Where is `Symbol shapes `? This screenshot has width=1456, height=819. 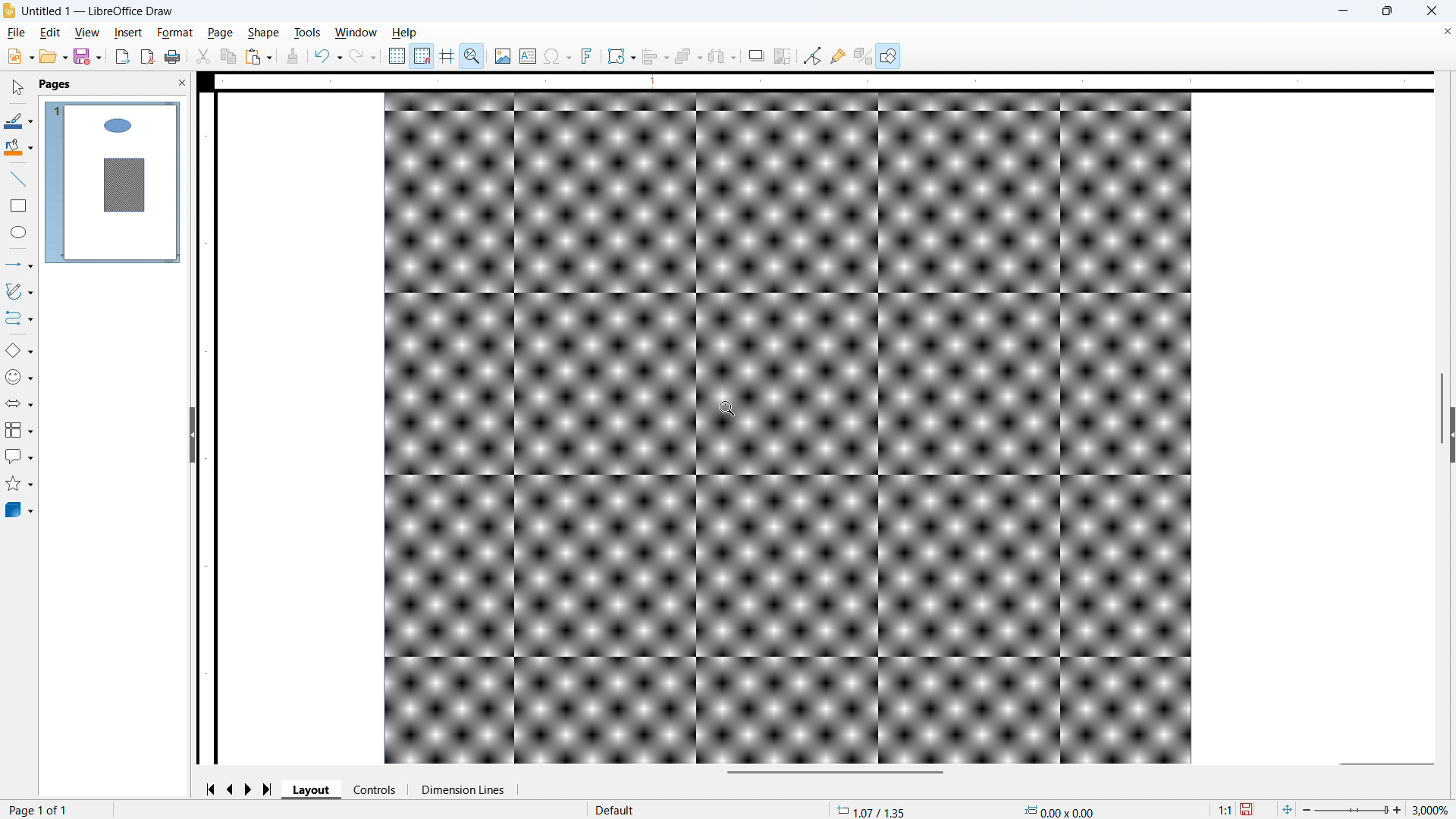
Symbol shapes  is located at coordinates (20, 378).